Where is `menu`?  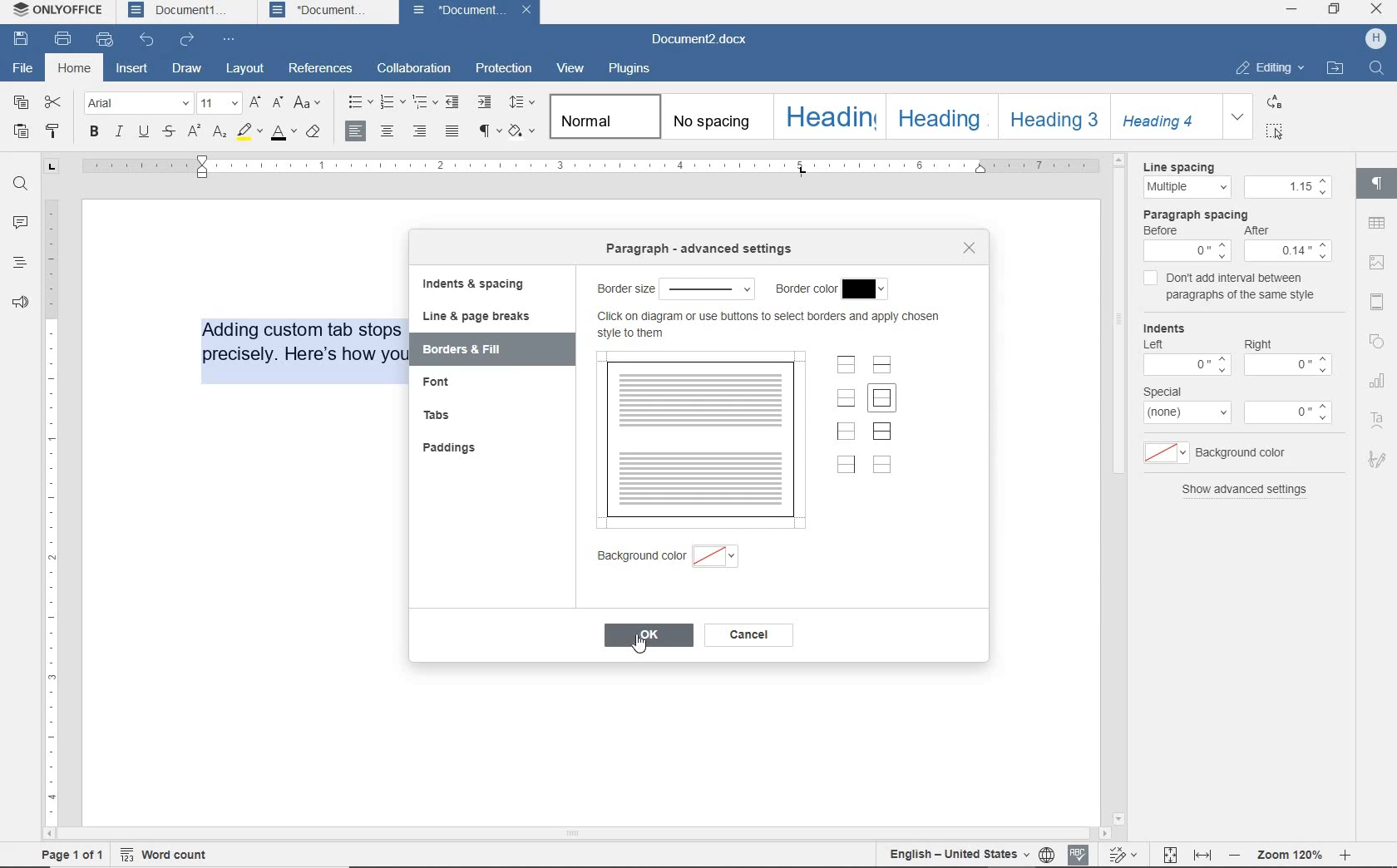
menu is located at coordinates (1291, 412).